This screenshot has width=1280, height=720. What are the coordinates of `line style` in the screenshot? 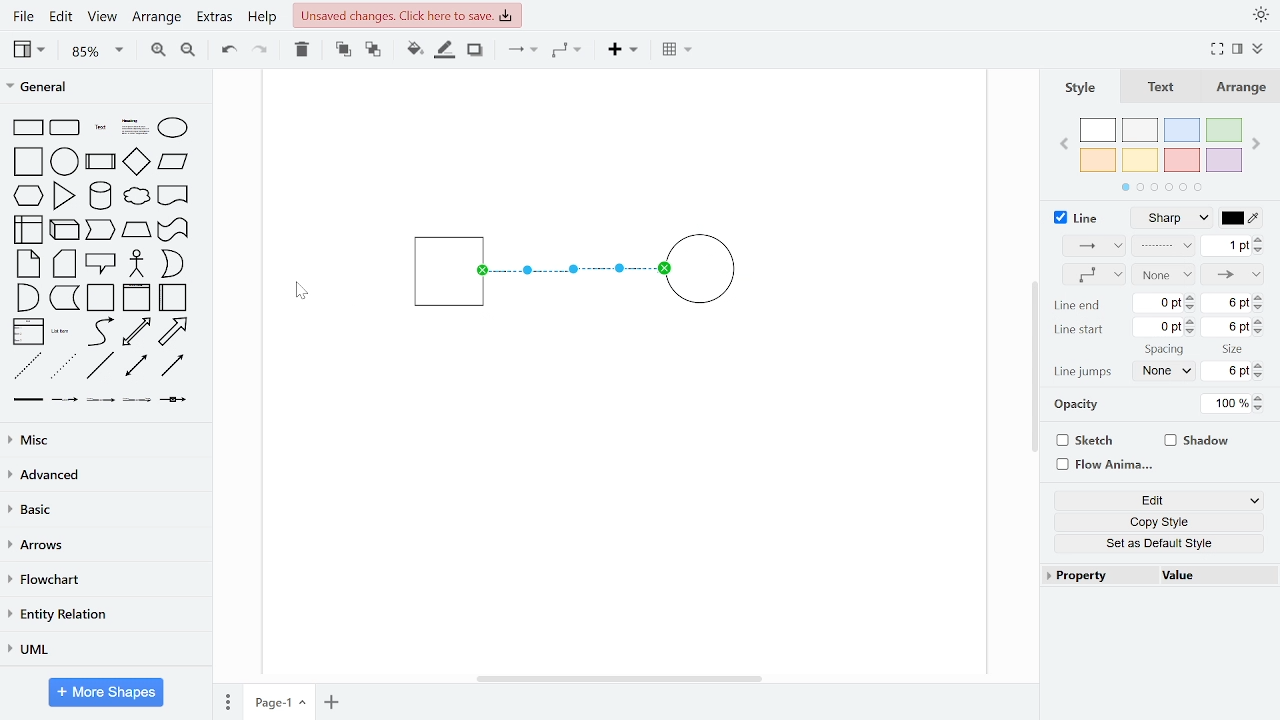 It's located at (1170, 219).